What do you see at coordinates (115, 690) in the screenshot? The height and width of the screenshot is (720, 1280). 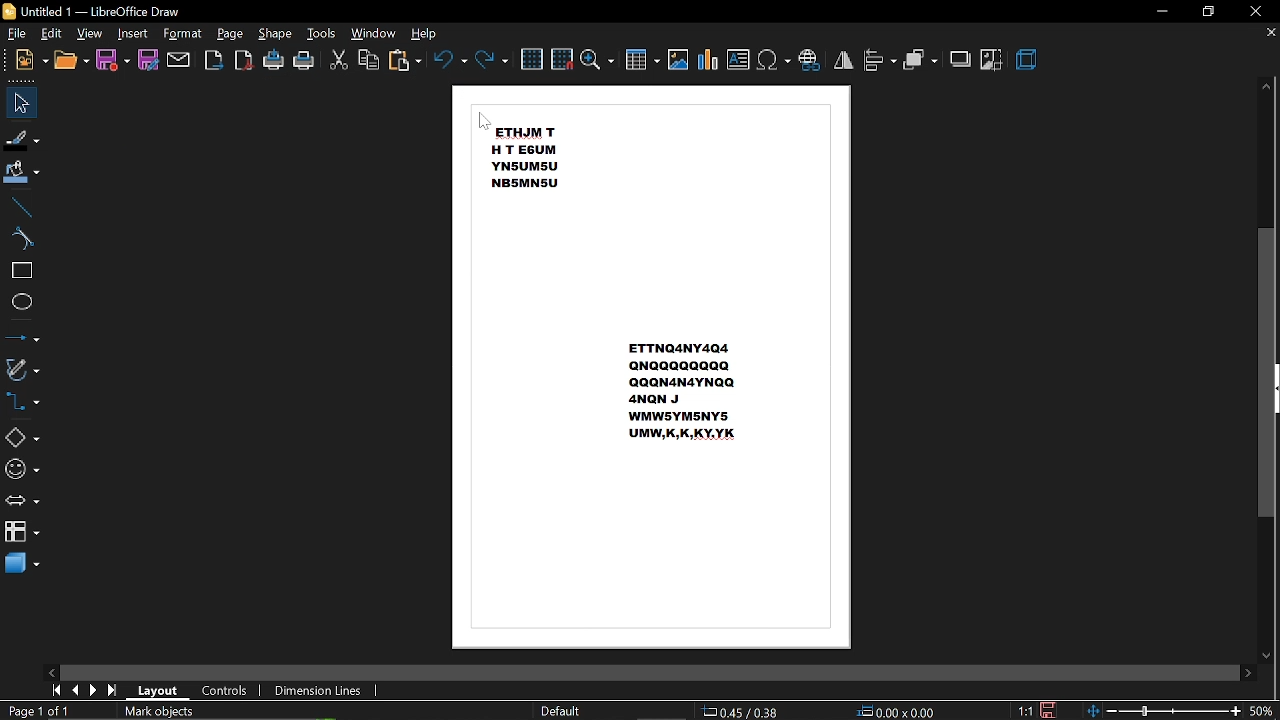 I see `go to last page` at bounding box center [115, 690].